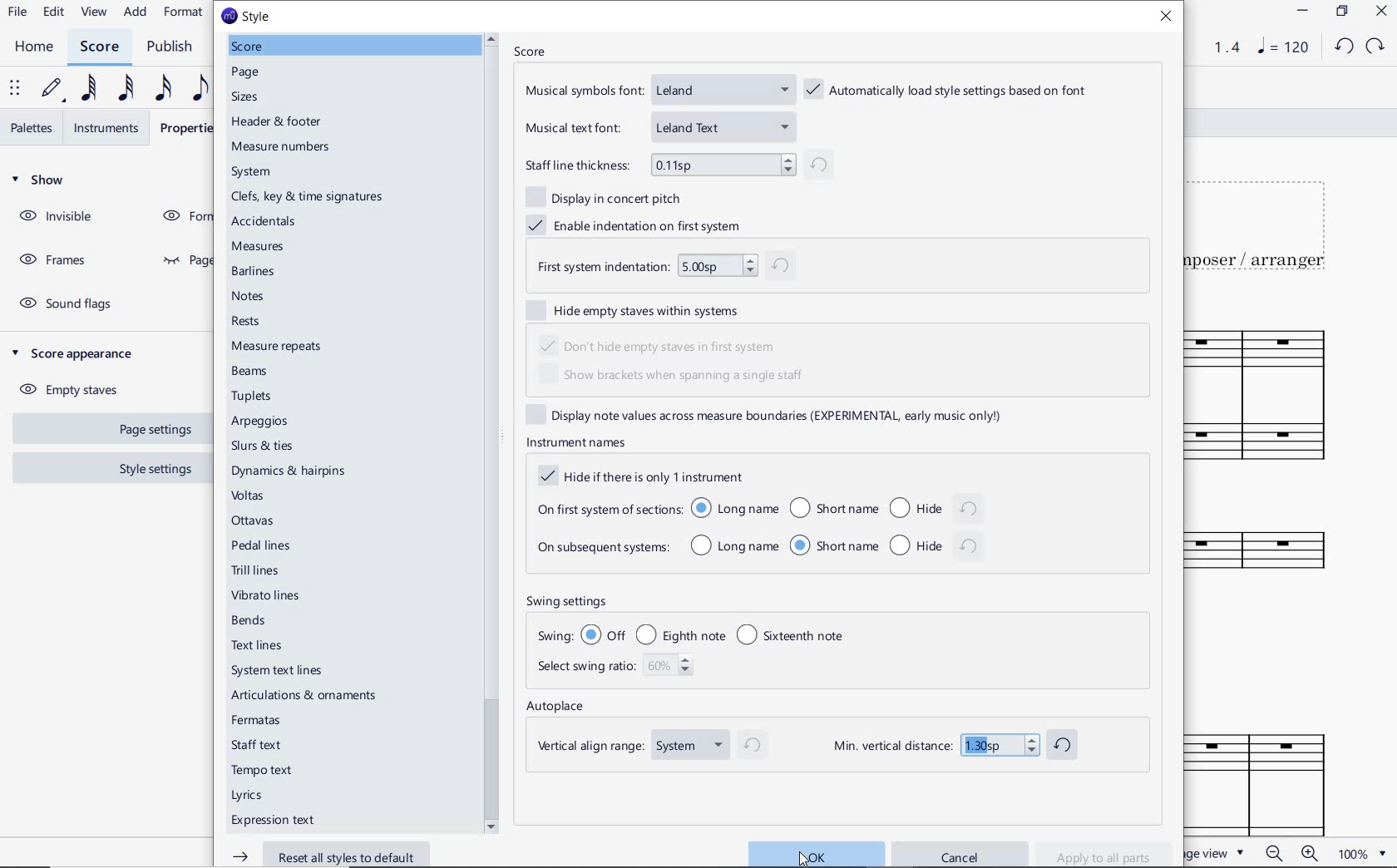 This screenshot has width=1397, height=868. Describe the element at coordinates (100, 47) in the screenshot. I see `SCORE` at that location.